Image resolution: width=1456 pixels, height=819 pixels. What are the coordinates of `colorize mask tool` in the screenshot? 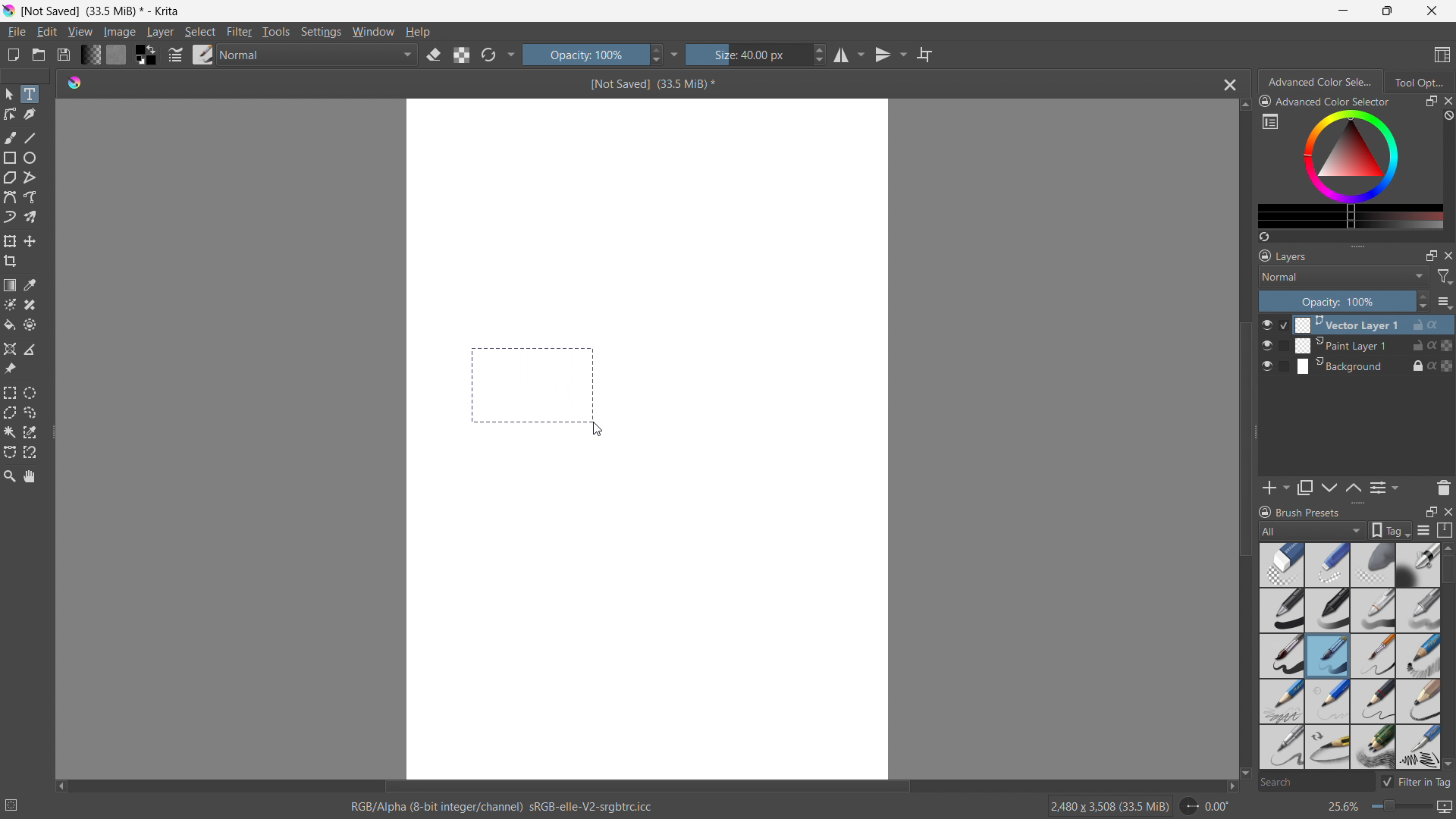 It's located at (10, 304).